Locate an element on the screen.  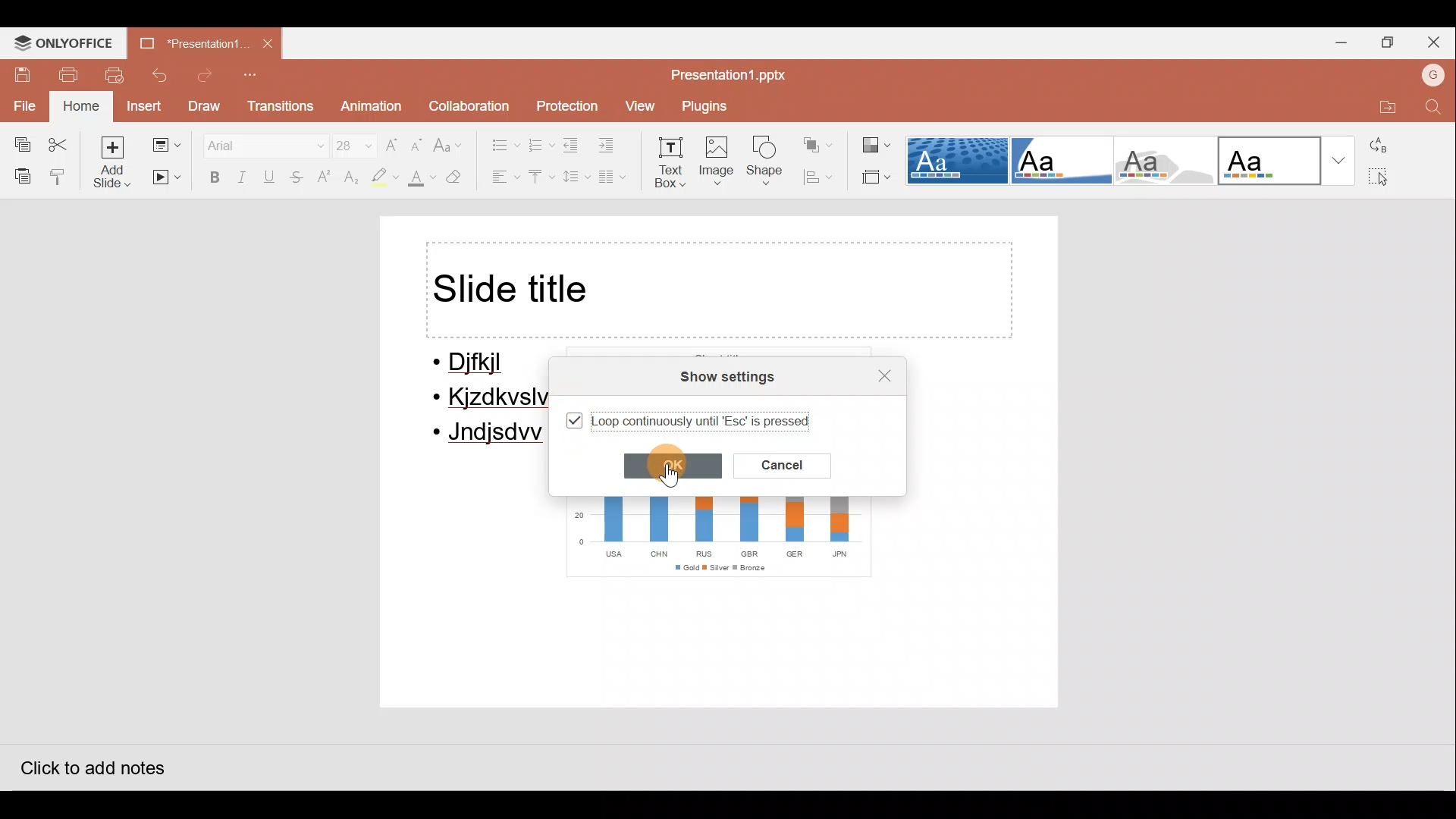
Document name is located at coordinates (727, 74).